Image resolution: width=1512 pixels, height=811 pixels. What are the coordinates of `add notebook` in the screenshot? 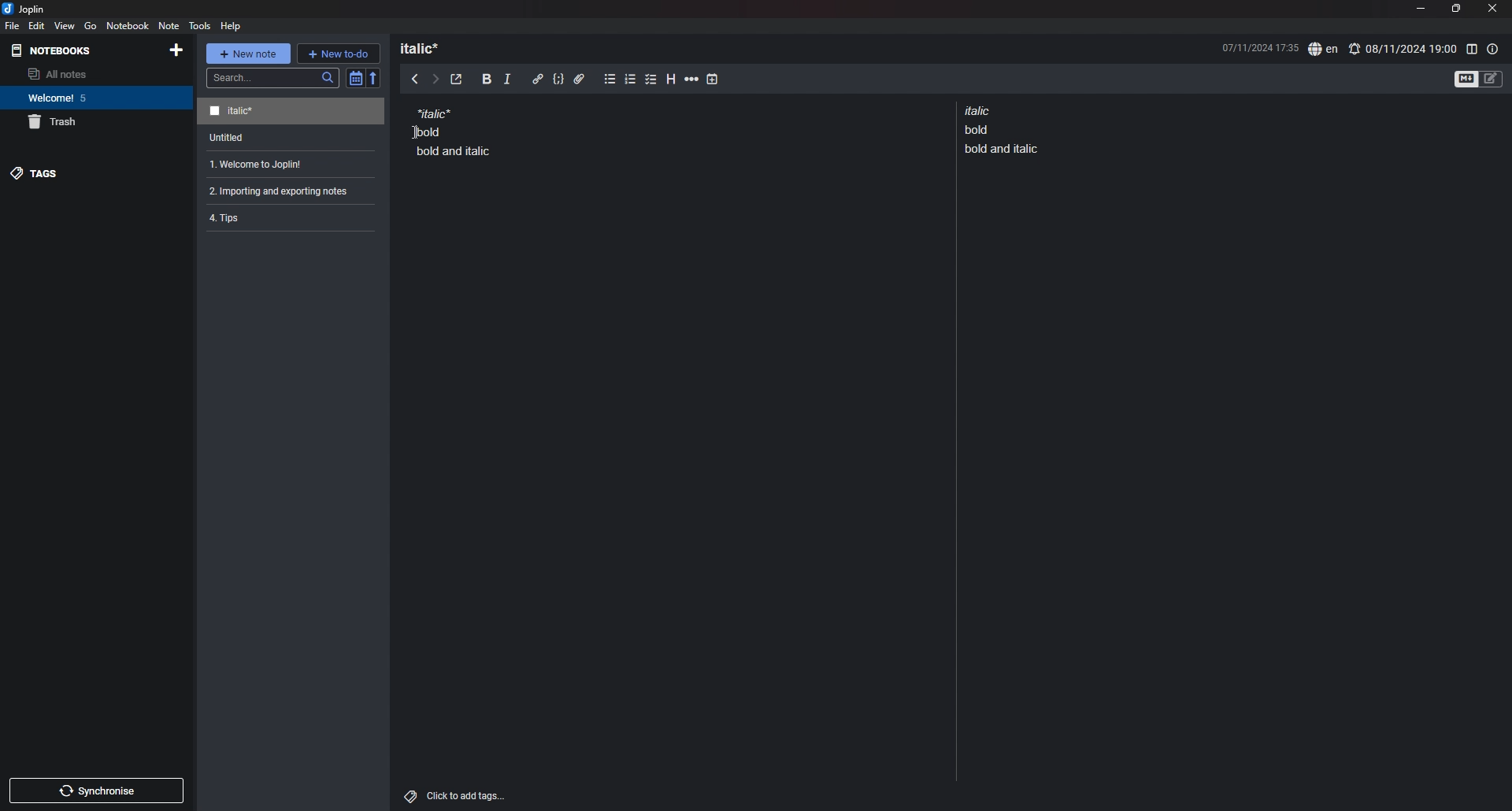 It's located at (175, 50).